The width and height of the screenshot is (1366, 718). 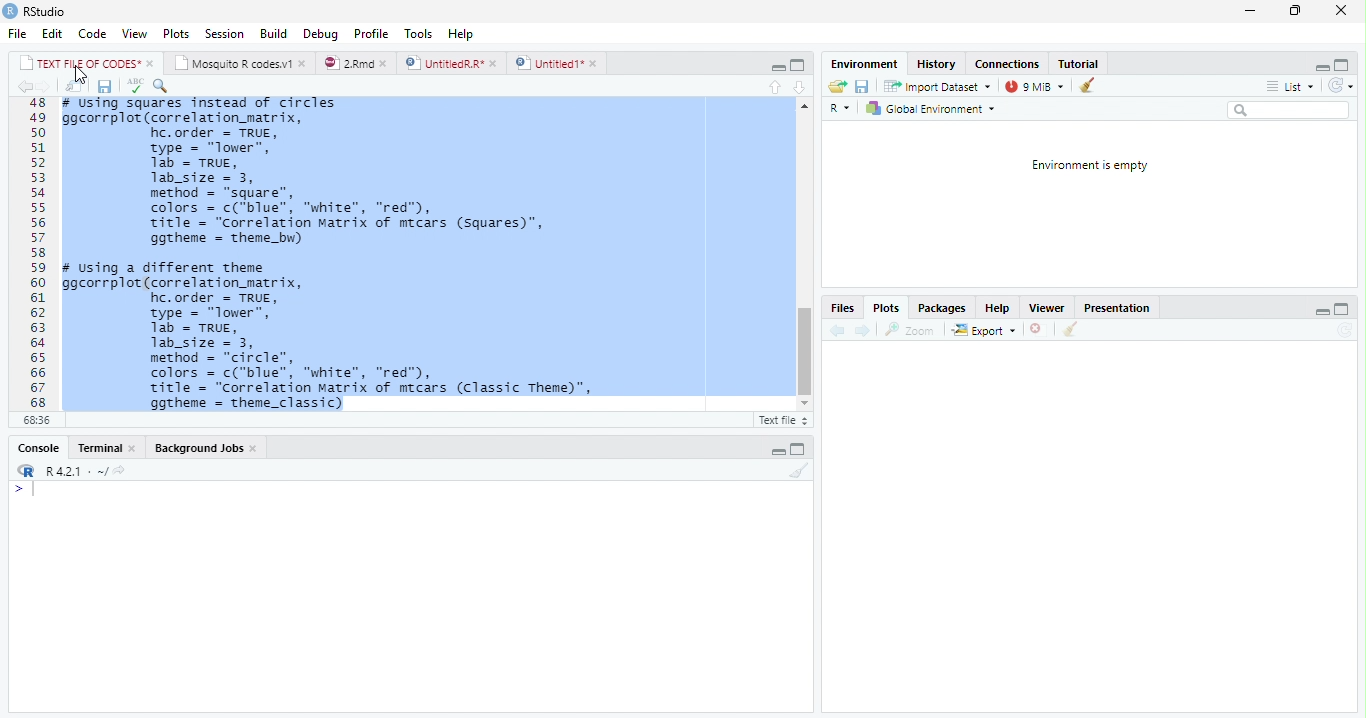 What do you see at coordinates (53, 34) in the screenshot?
I see `Edit` at bounding box center [53, 34].